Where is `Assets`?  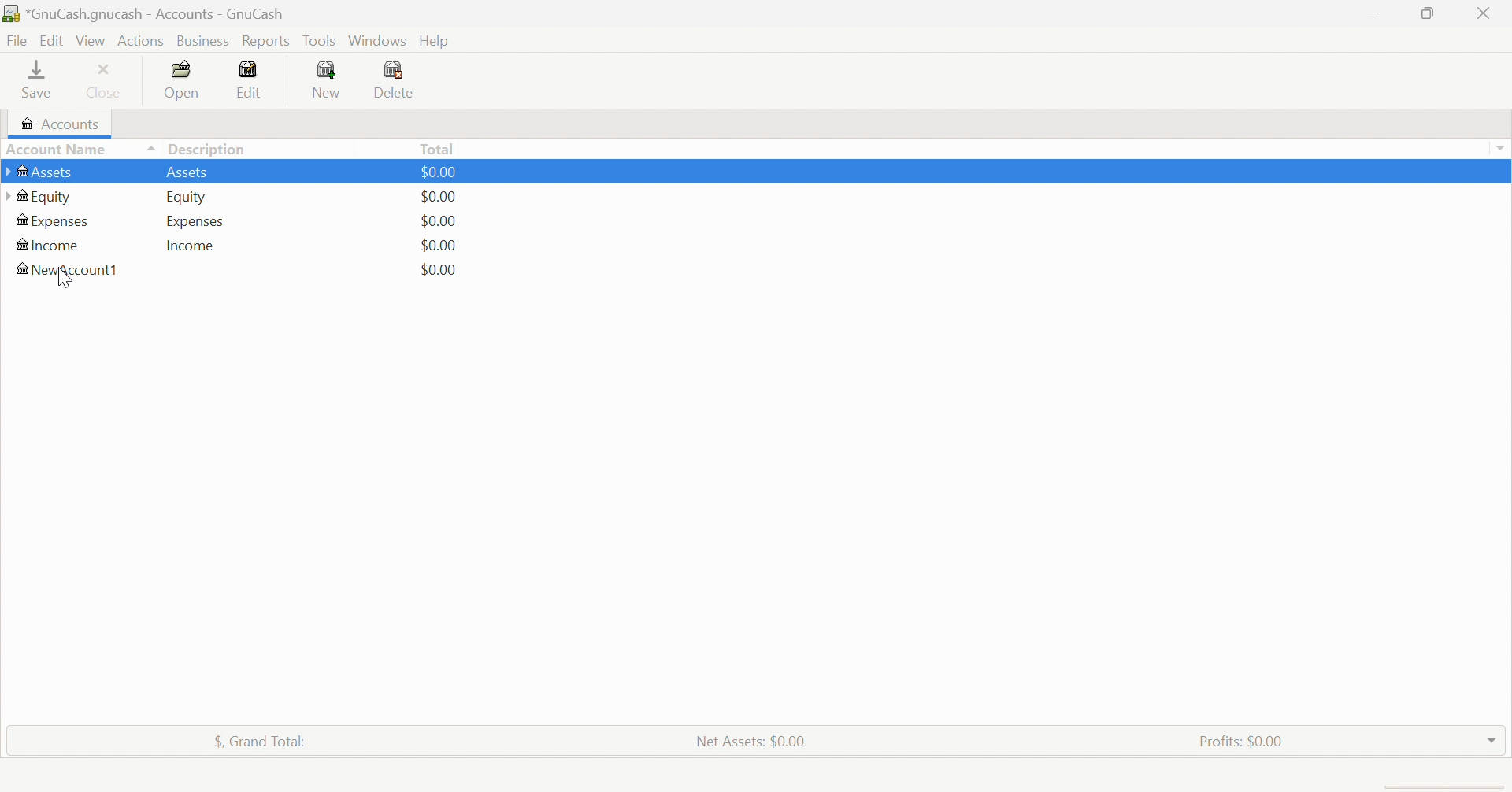 Assets is located at coordinates (193, 172).